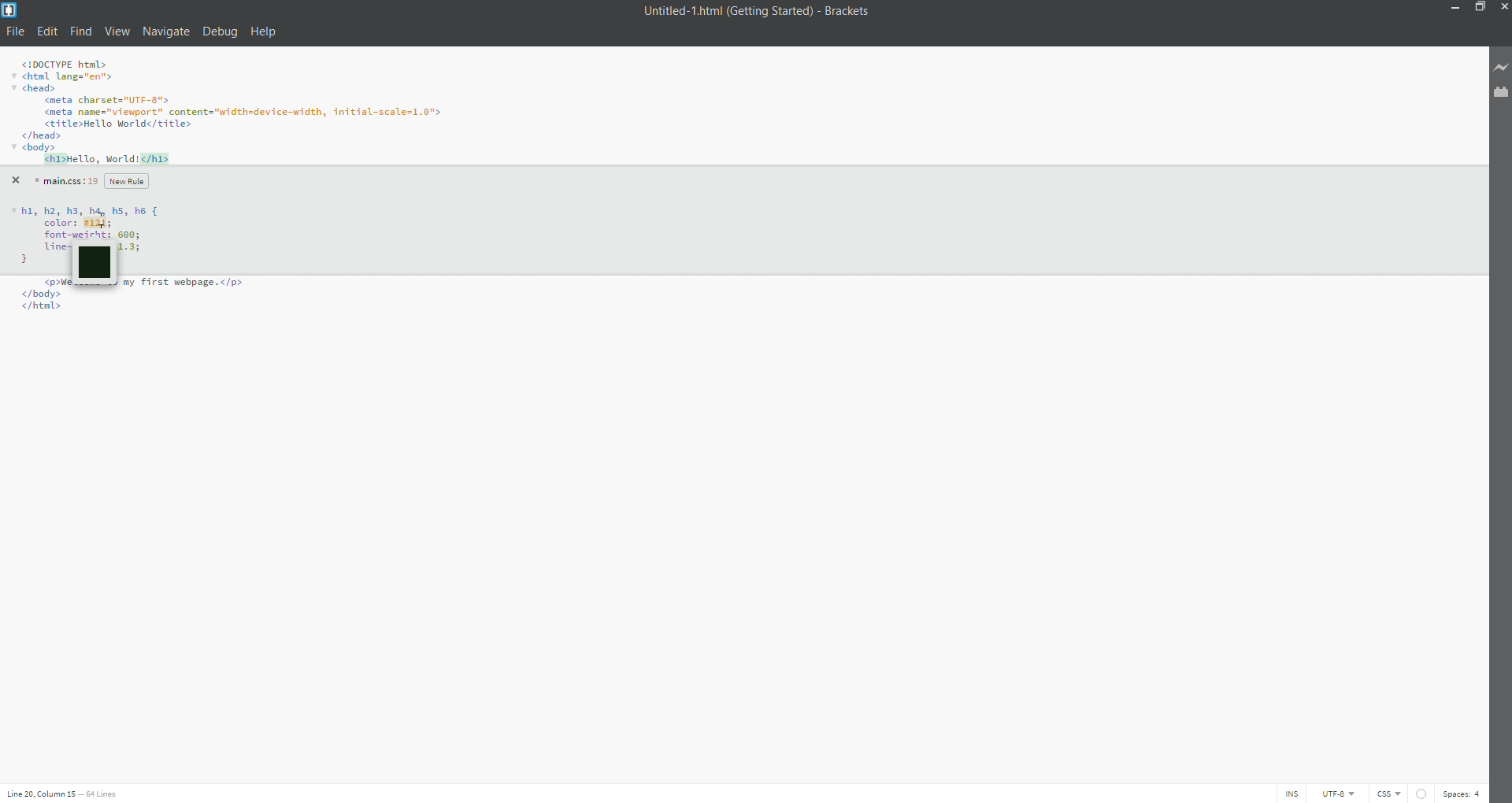  I want to click on color, so click(98, 265).